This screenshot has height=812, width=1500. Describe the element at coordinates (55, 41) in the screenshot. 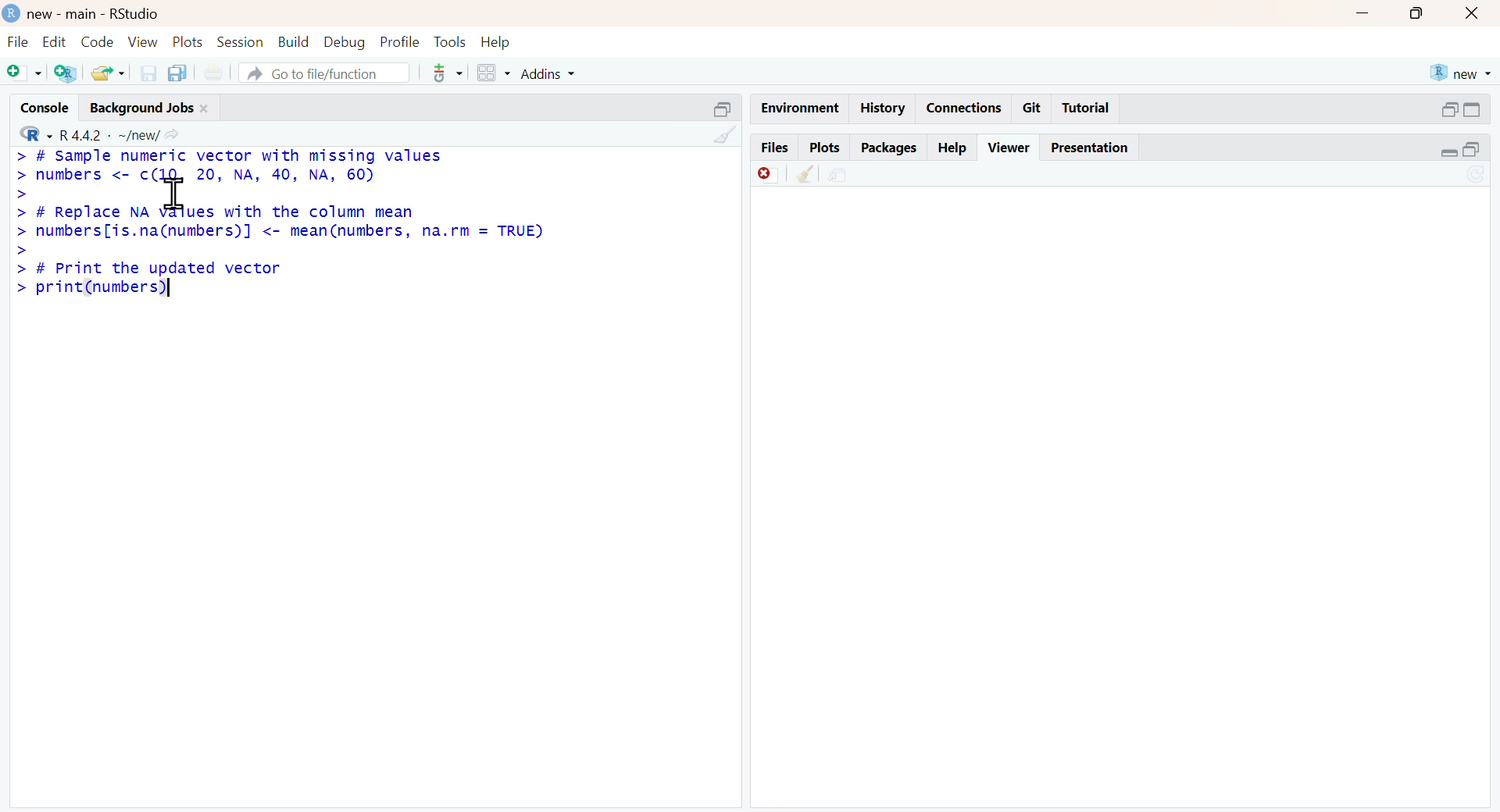

I see `edit` at that location.